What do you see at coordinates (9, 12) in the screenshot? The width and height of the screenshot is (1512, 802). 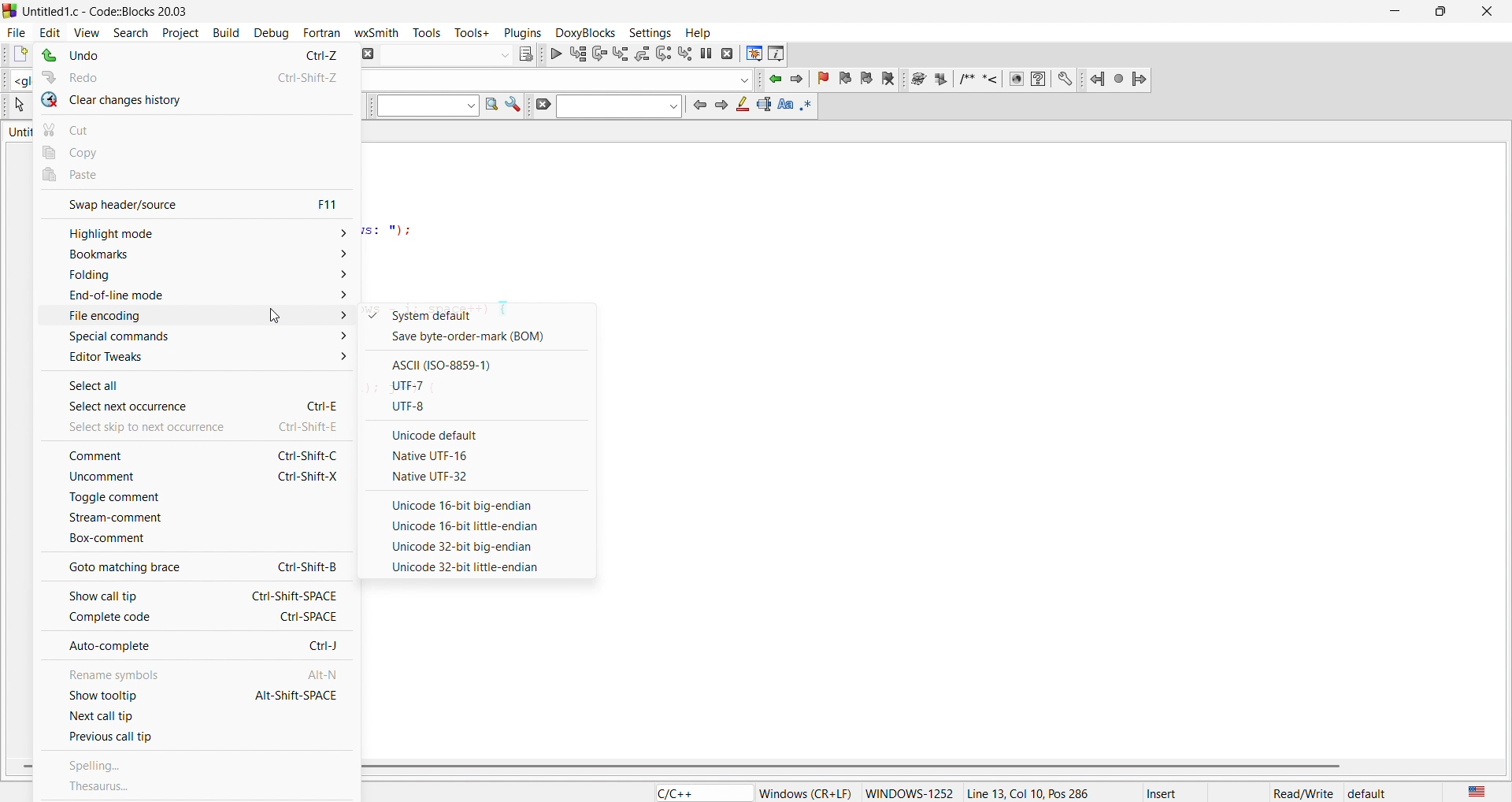 I see `code blocks logo` at bounding box center [9, 12].